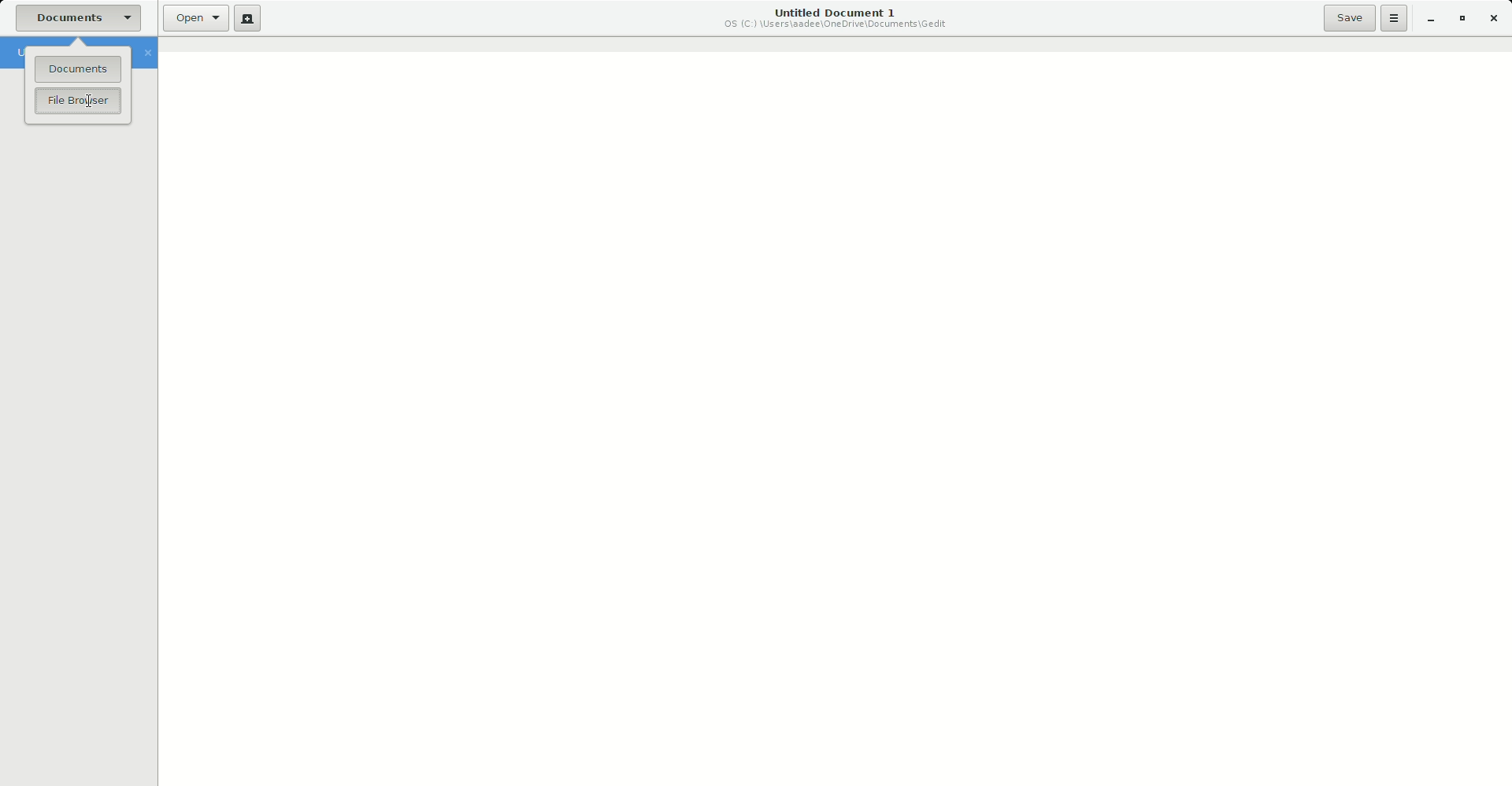 This screenshot has width=1512, height=786. Describe the element at coordinates (94, 98) in the screenshot. I see `Cursor` at that location.